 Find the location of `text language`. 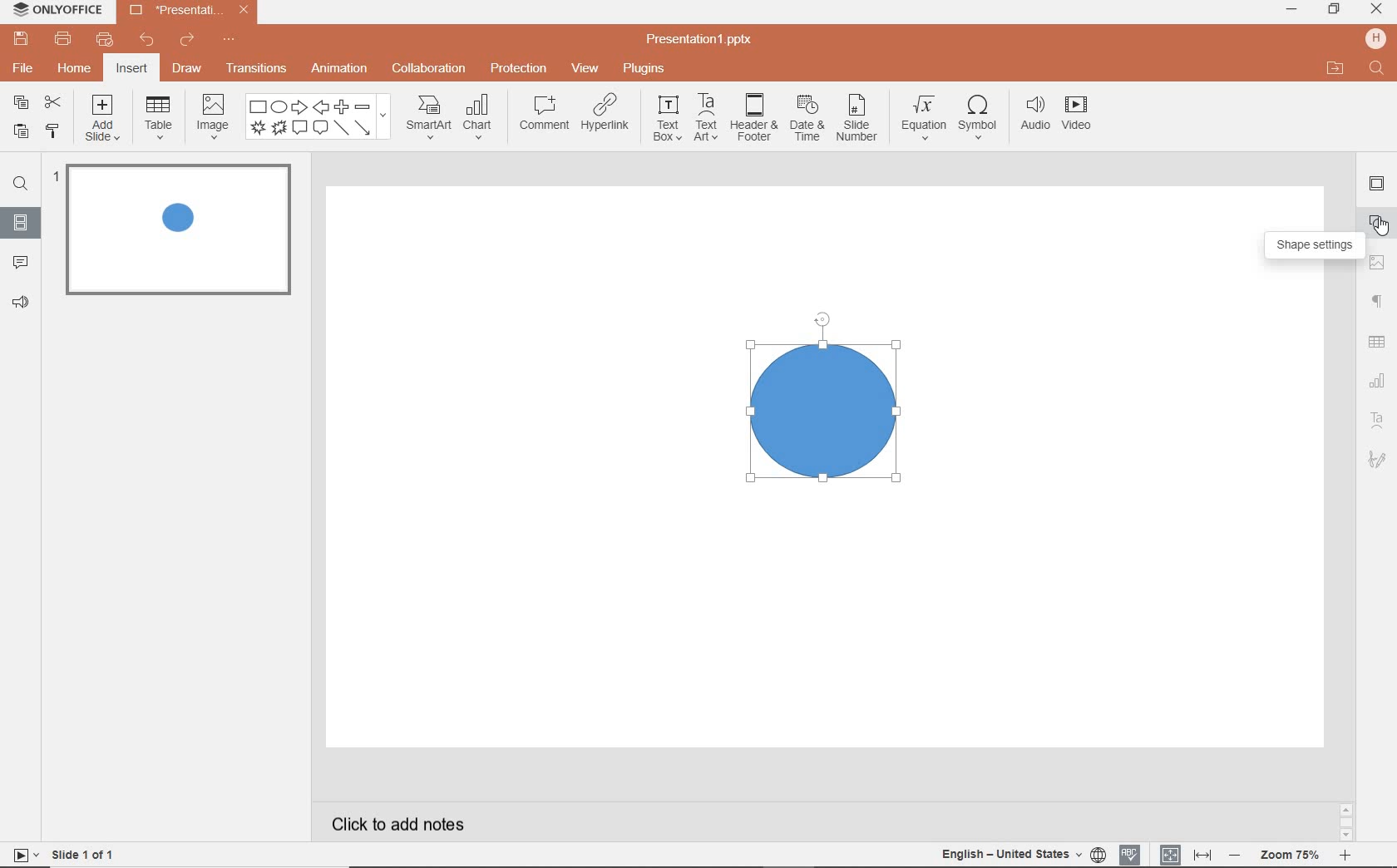

text language is located at coordinates (1013, 856).